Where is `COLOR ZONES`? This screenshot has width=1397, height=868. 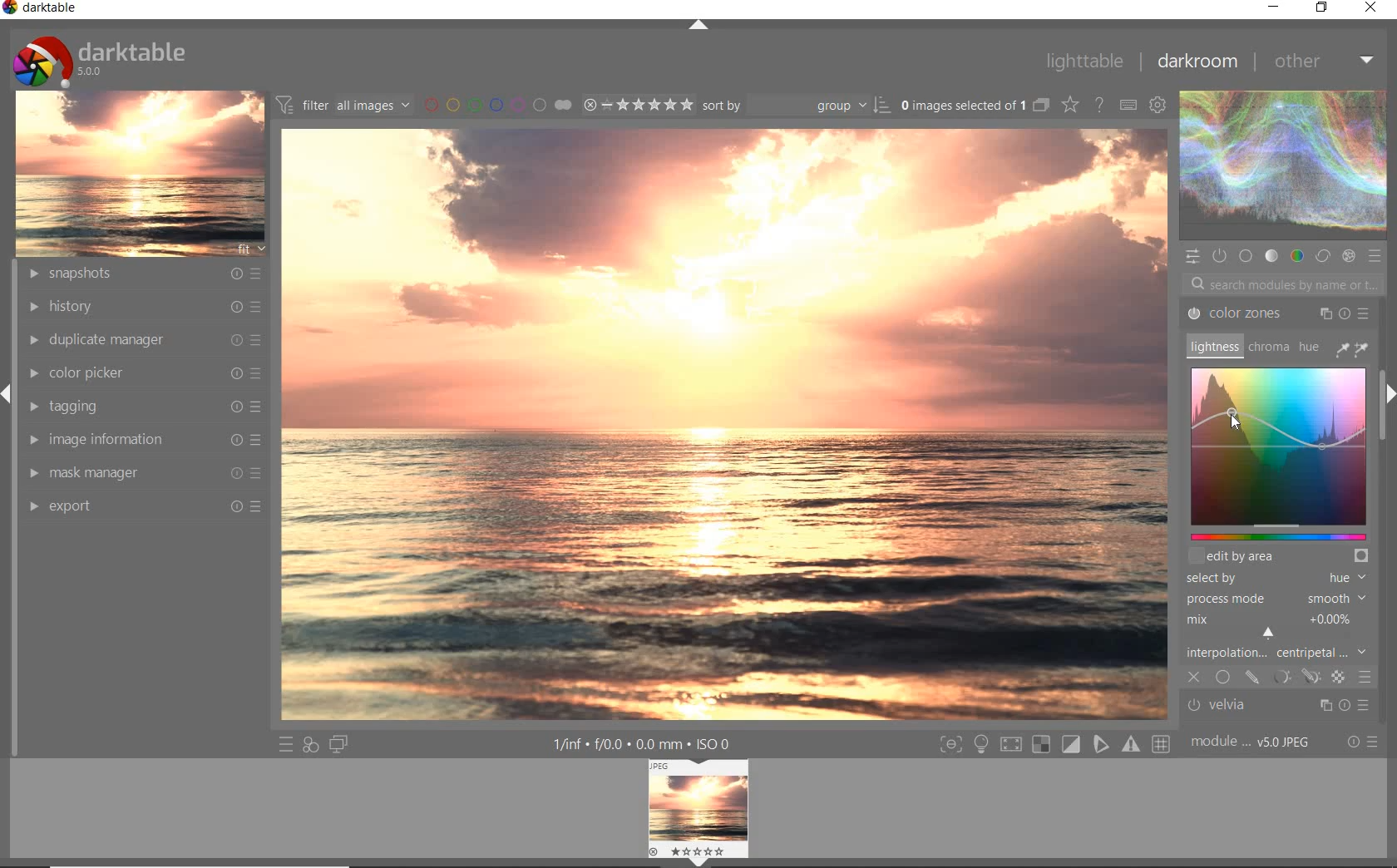
COLOR ZONES is located at coordinates (1278, 313).